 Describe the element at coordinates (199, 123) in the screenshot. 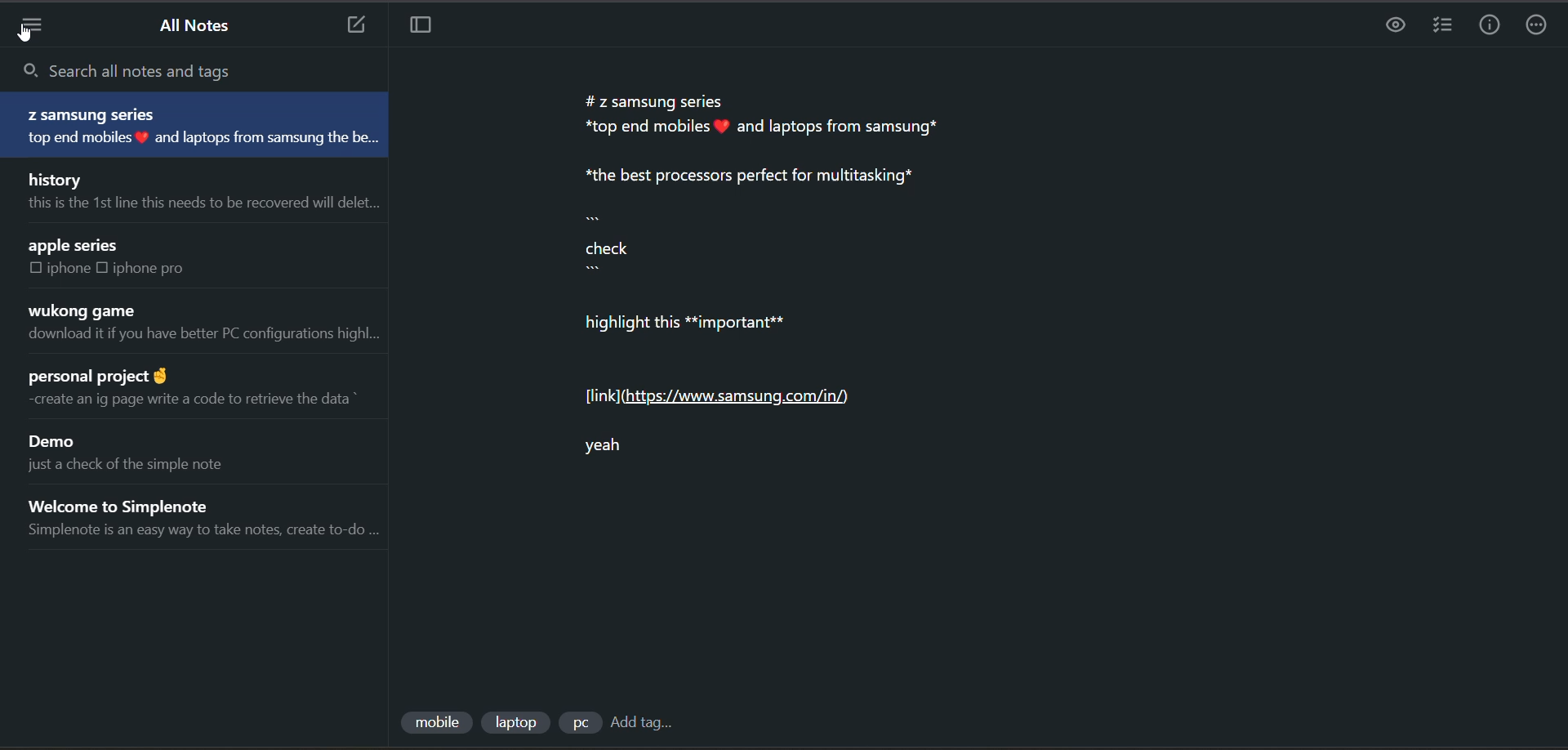

I see `note title and preview` at that location.